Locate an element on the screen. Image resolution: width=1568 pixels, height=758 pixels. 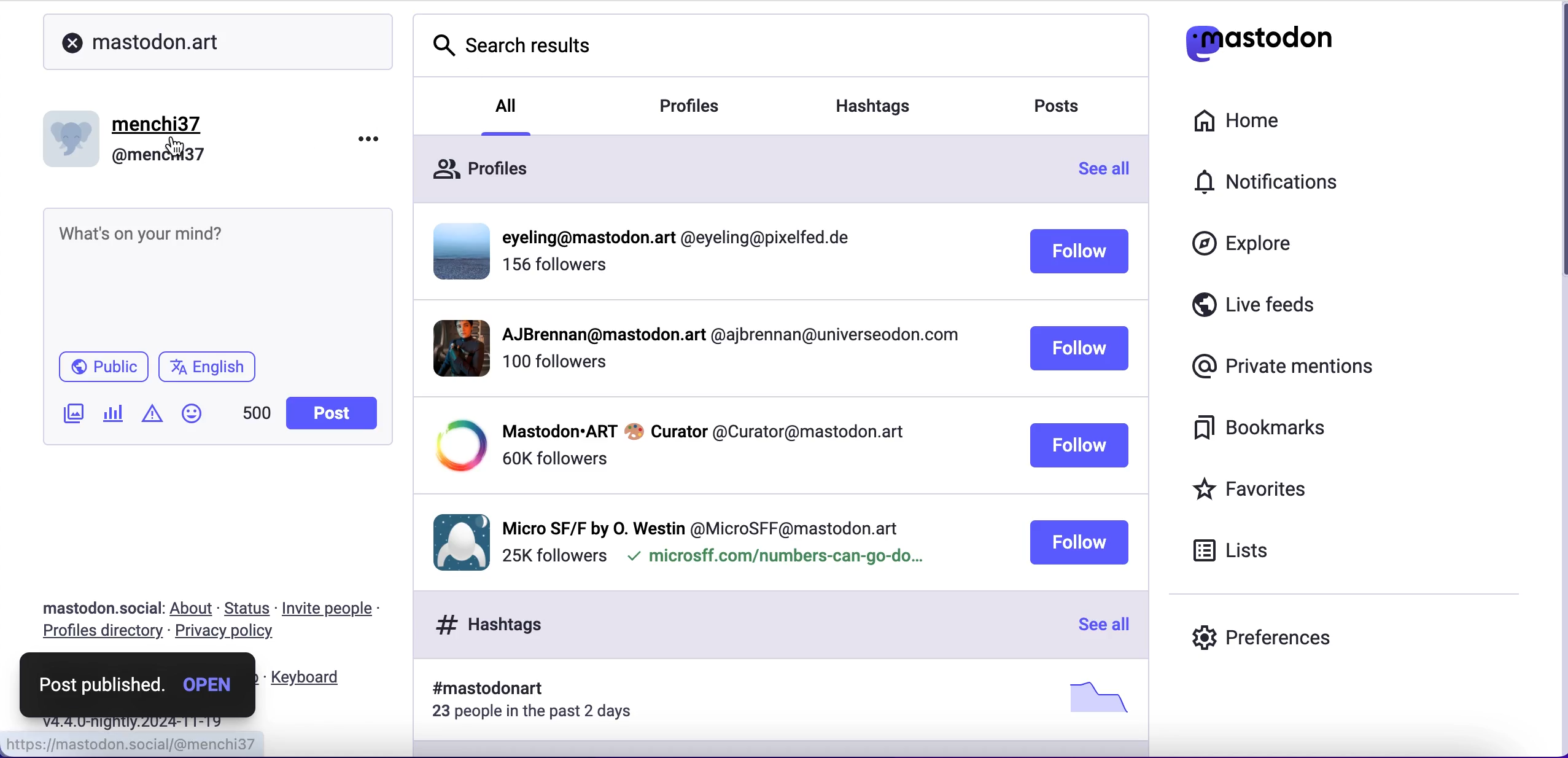
posts is located at coordinates (1065, 109).